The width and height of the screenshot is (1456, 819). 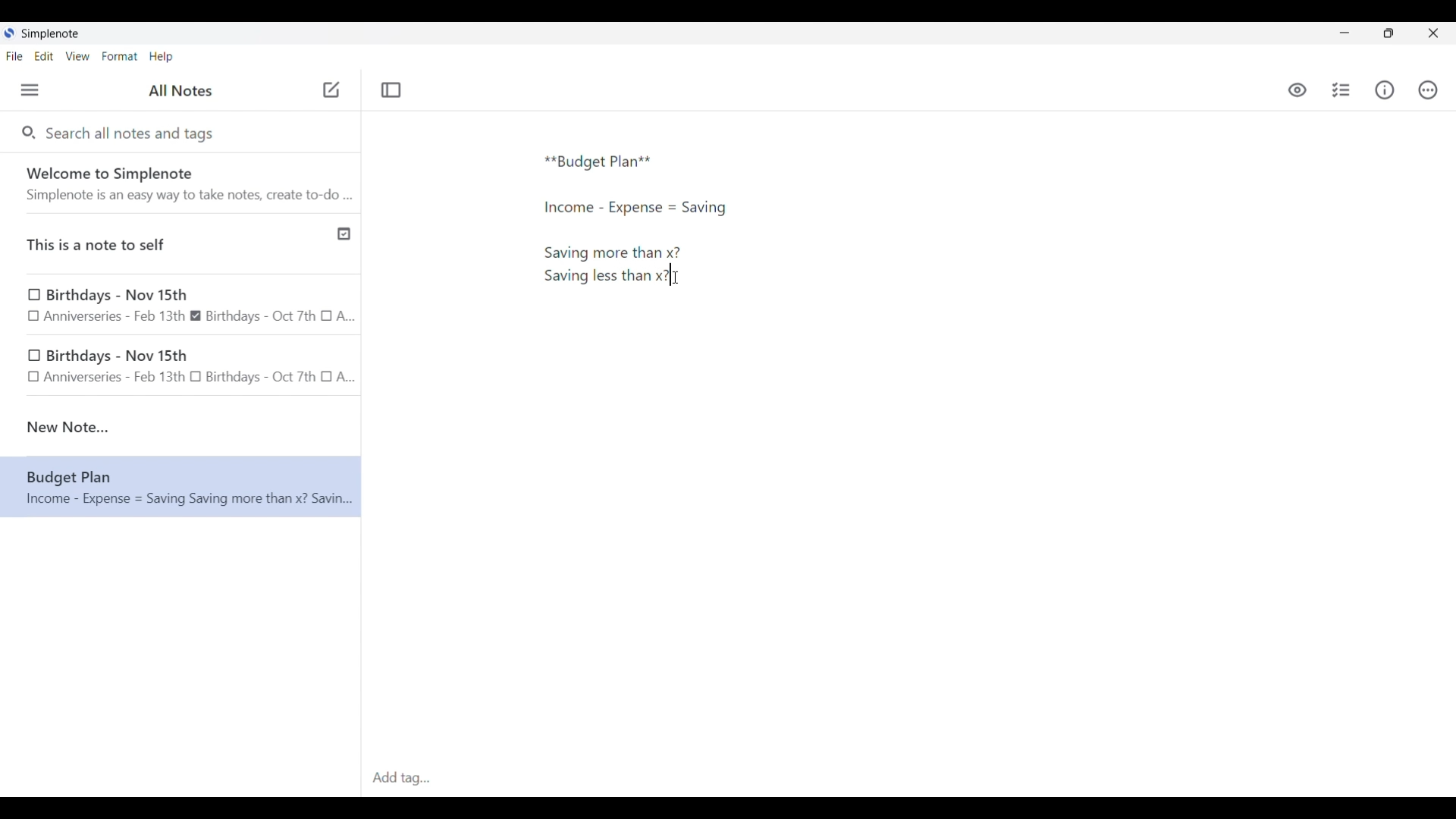 I want to click on Show interface in a smaller tab, so click(x=1389, y=33).